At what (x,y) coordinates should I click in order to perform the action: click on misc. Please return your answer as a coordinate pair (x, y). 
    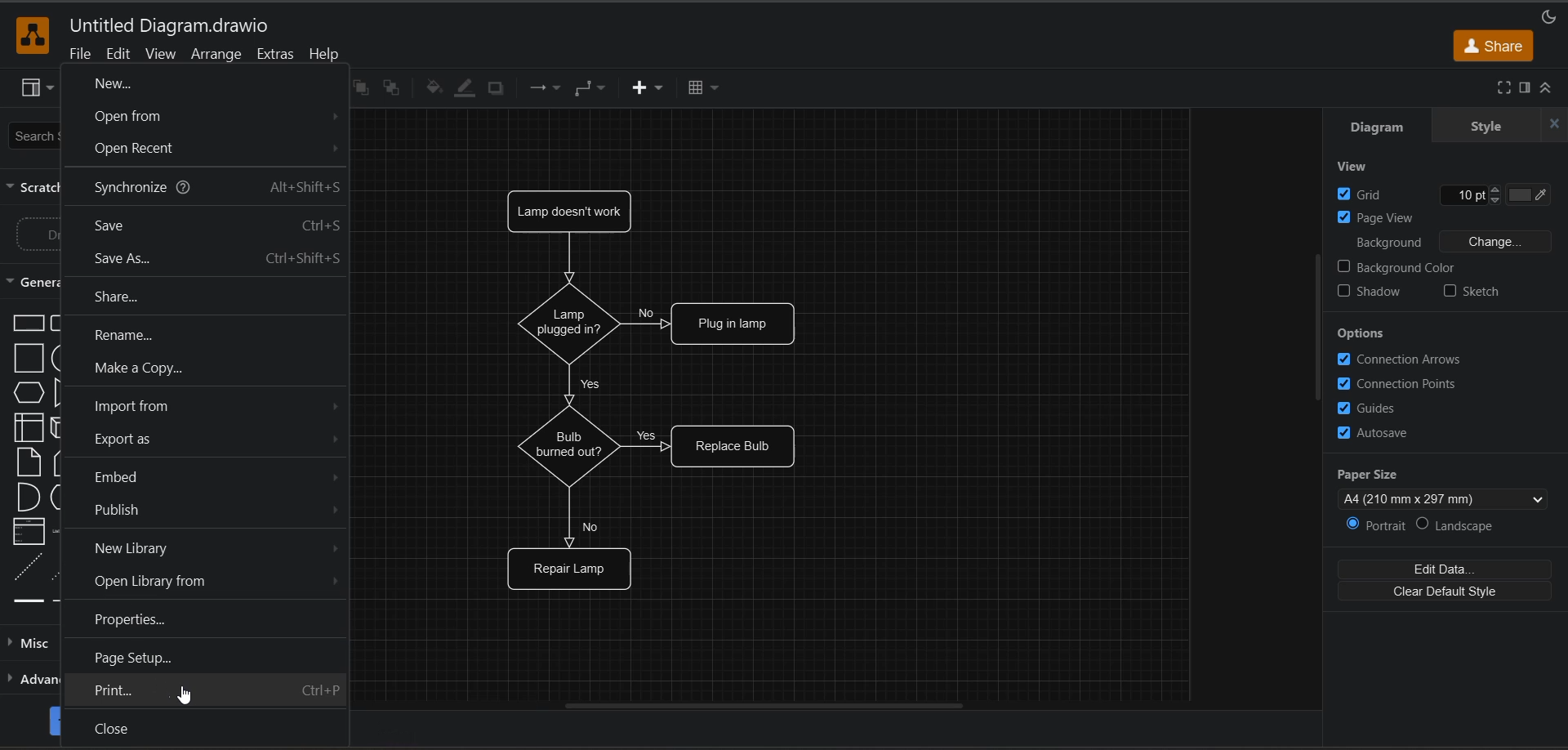
    Looking at the image, I should click on (29, 643).